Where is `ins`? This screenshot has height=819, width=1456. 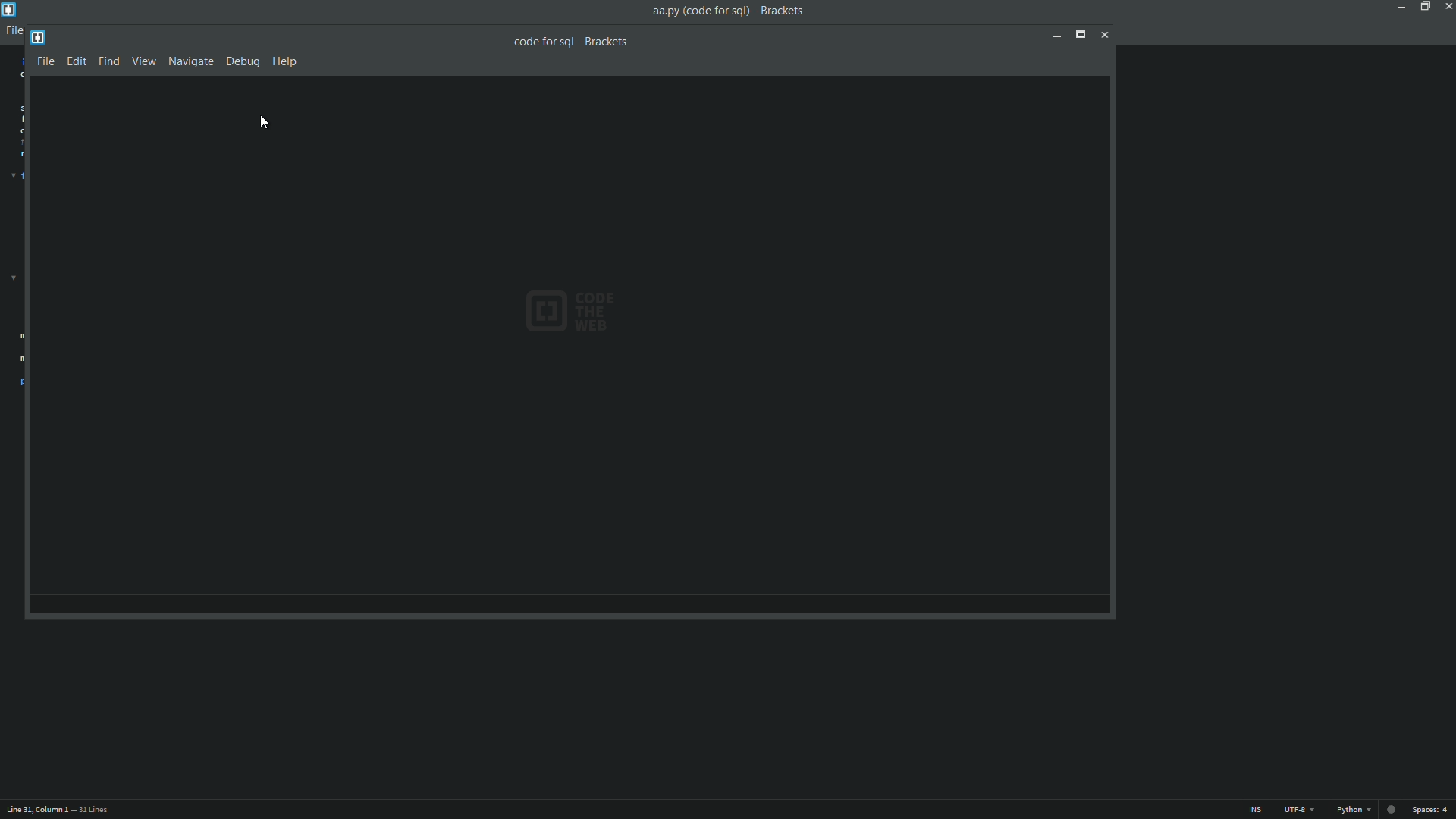 ins is located at coordinates (1255, 810).